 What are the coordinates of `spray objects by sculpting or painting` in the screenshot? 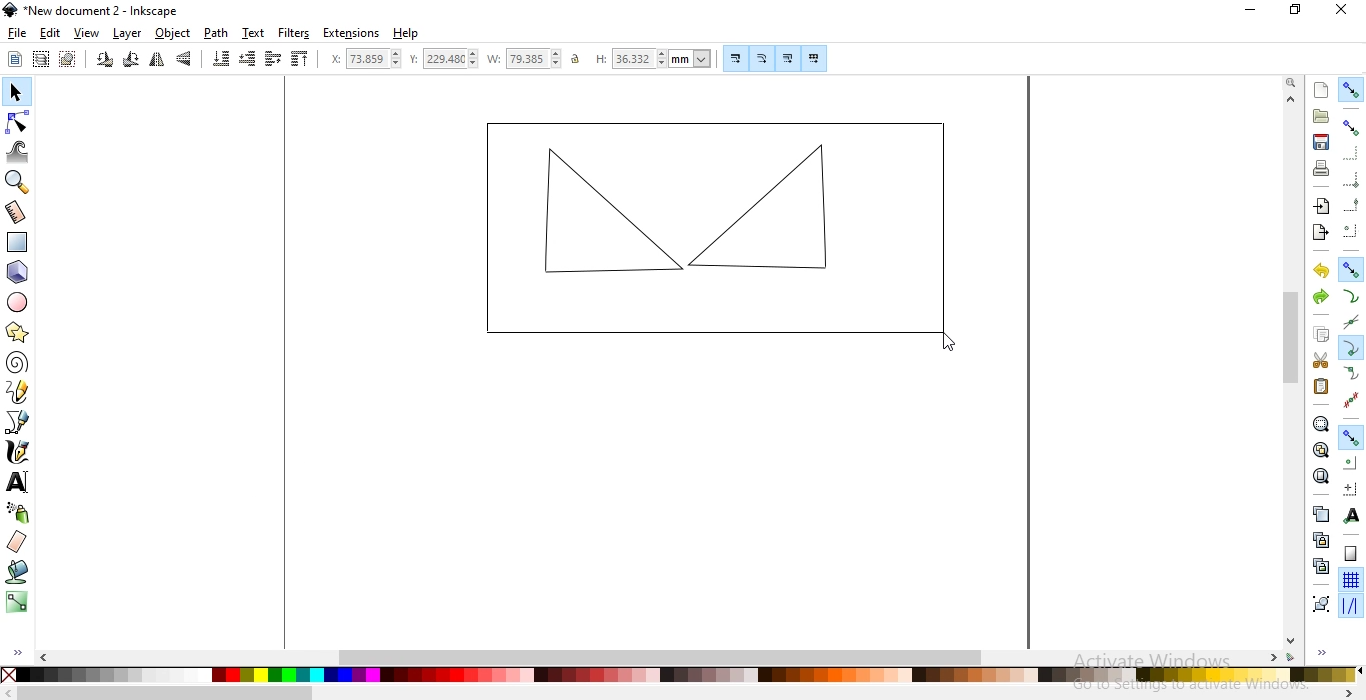 It's located at (18, 513).